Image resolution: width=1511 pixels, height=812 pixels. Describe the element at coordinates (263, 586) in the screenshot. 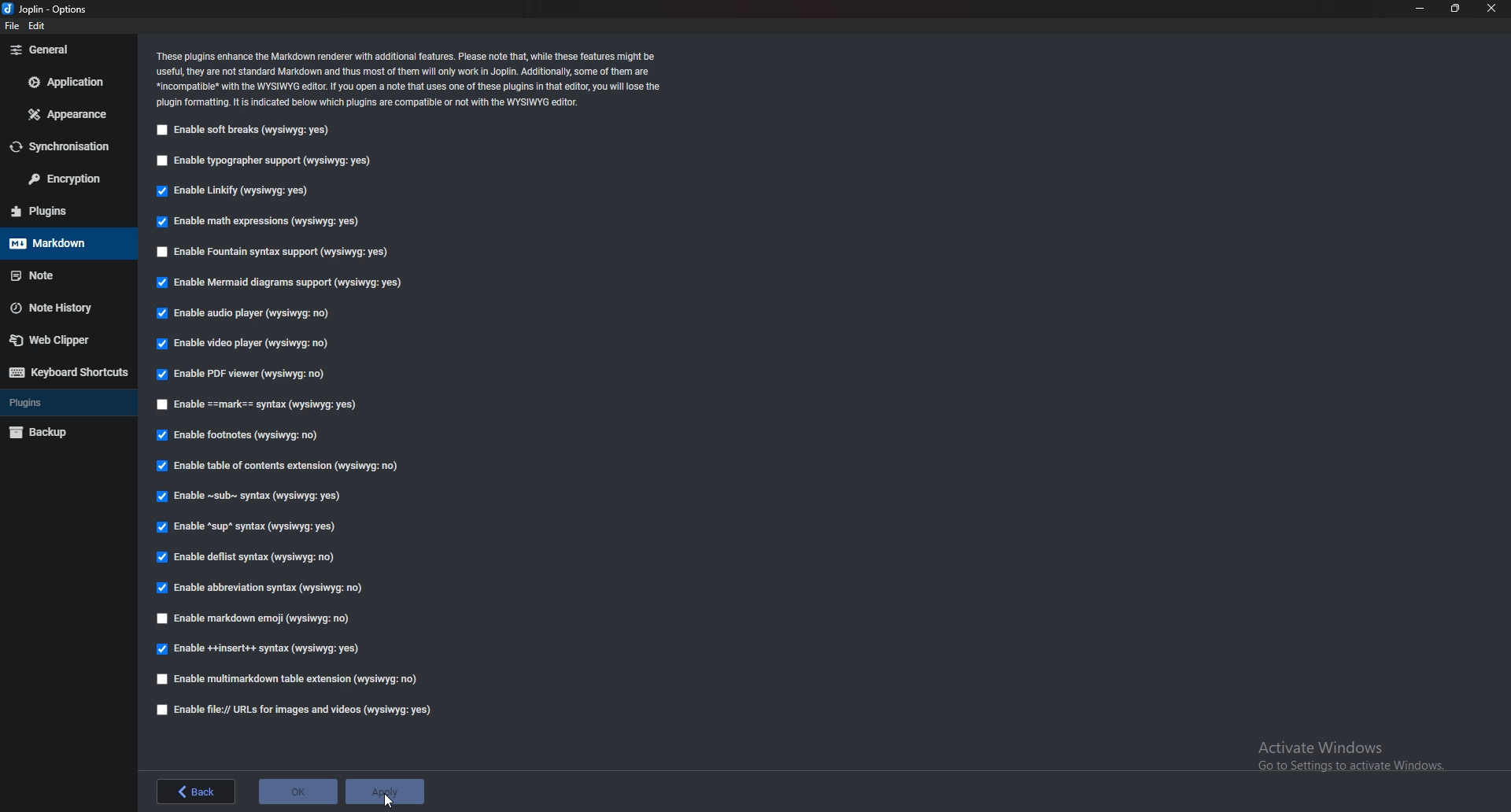

I see `enable Abbreviation Syntax` at that location.